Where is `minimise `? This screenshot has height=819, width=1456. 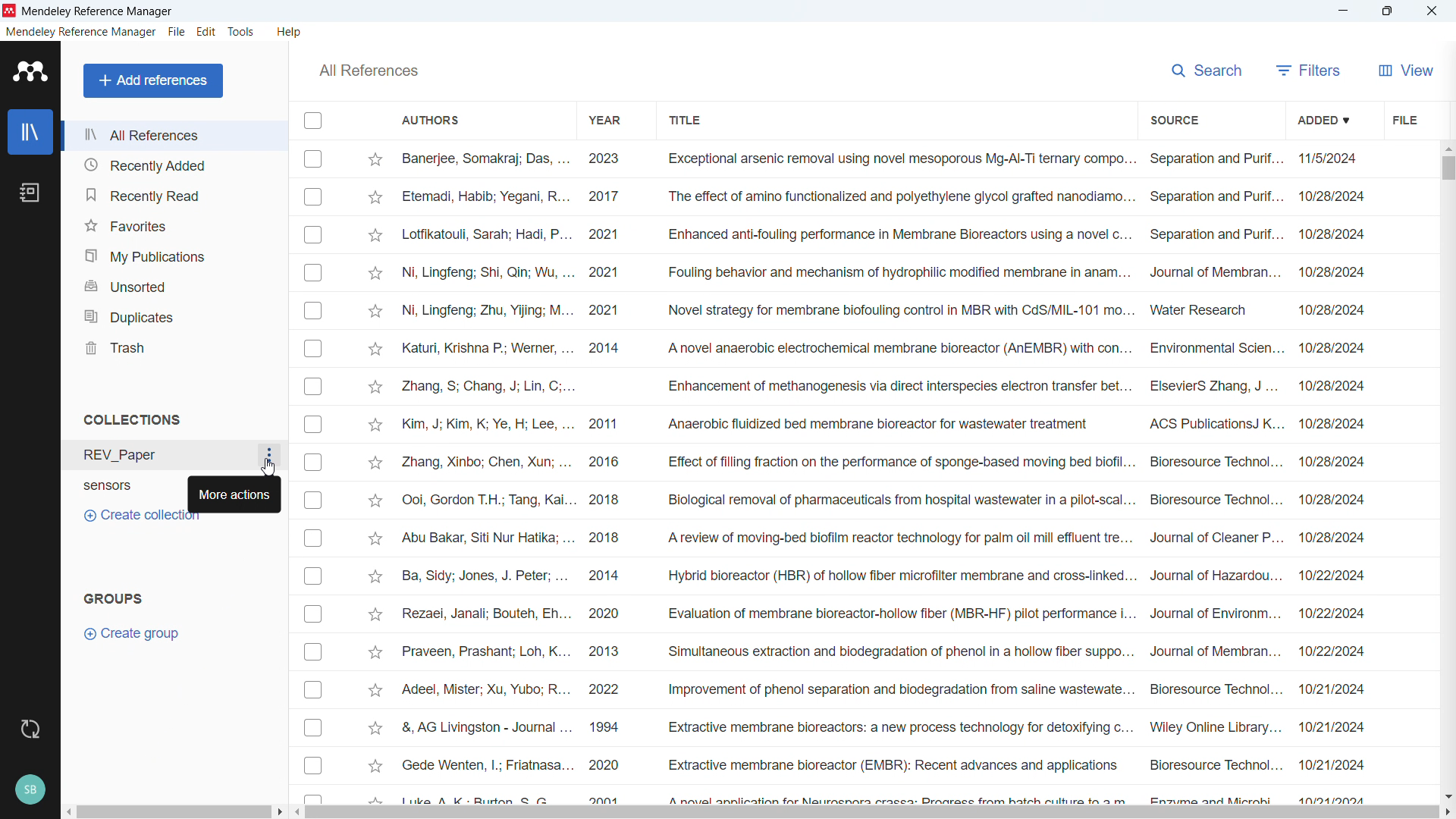 minimise  is located at coordinates (1346, 11).